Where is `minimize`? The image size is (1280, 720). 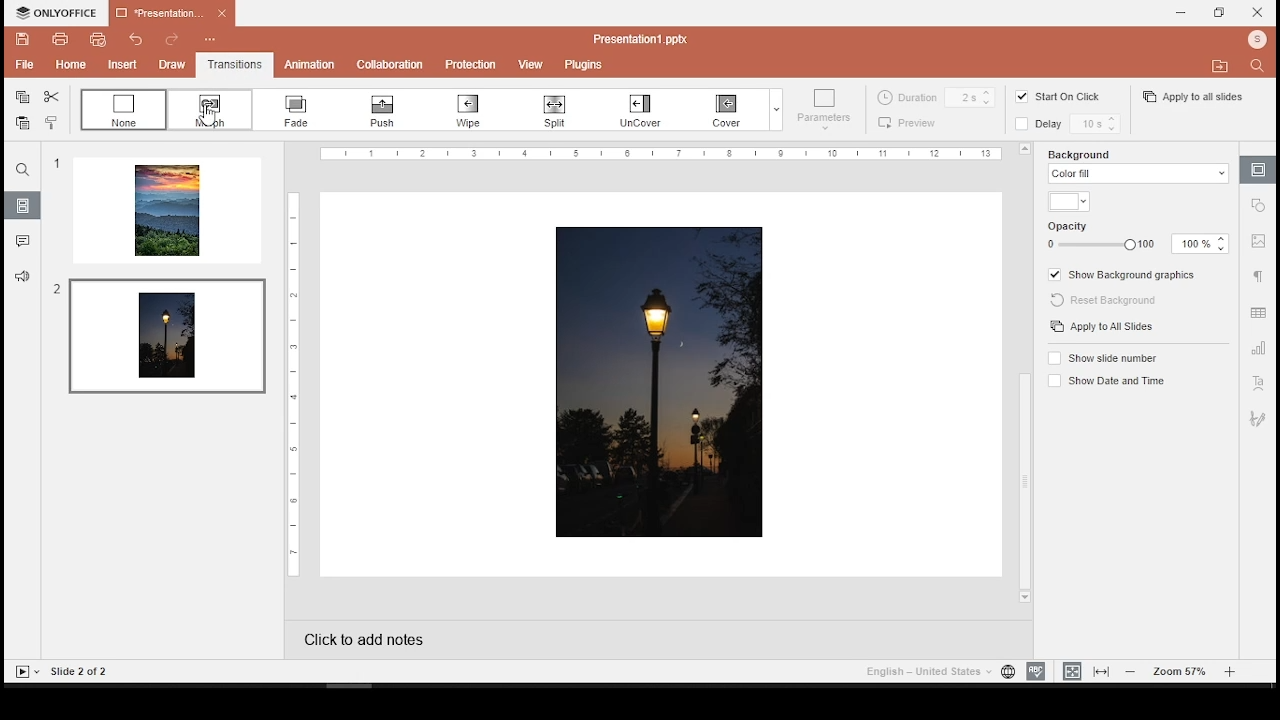
minimize is located at coordinates (1183, 13).